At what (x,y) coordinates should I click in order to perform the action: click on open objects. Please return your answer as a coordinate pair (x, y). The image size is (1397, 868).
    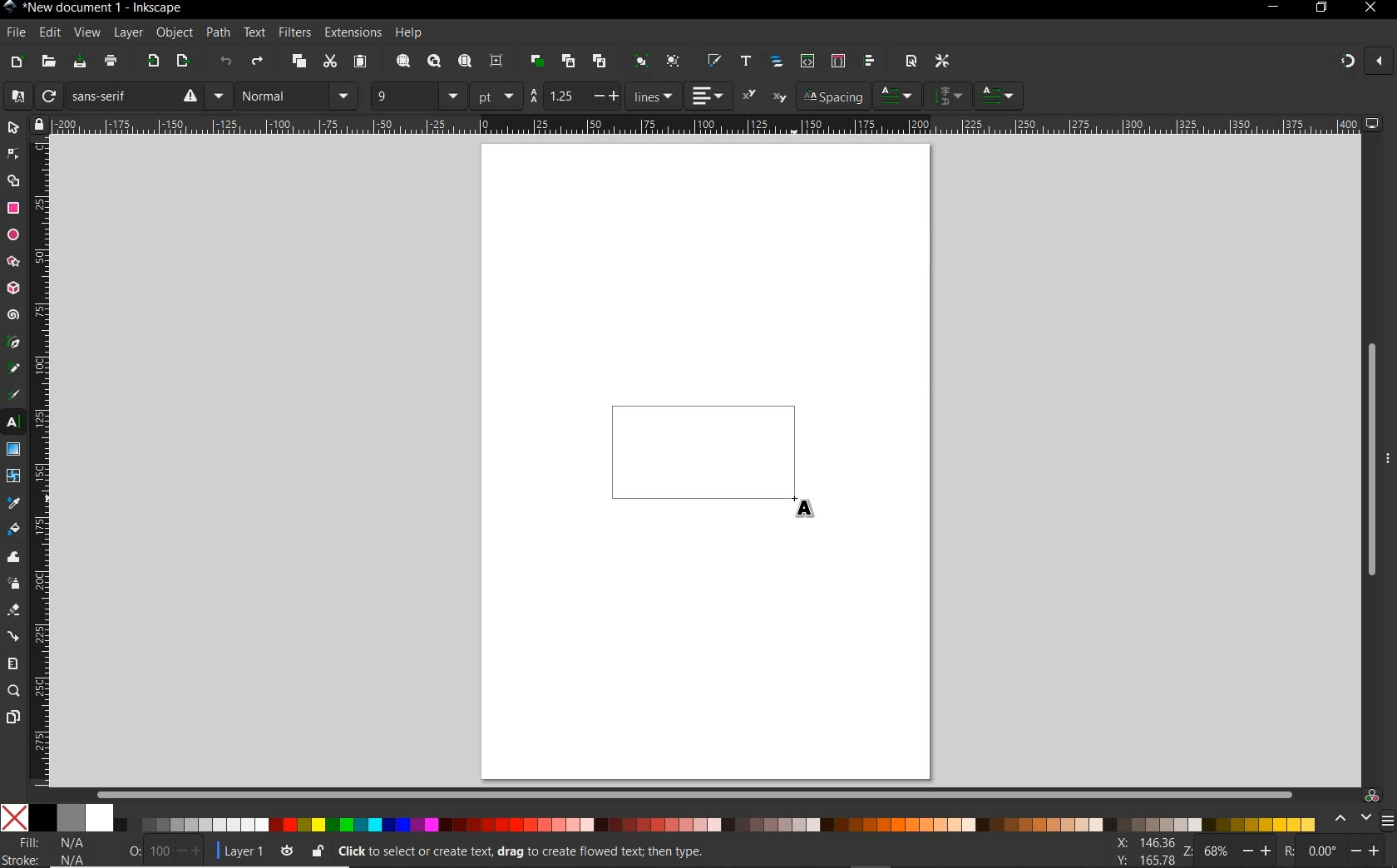
    Looking at the image, I should click on (778, 62).